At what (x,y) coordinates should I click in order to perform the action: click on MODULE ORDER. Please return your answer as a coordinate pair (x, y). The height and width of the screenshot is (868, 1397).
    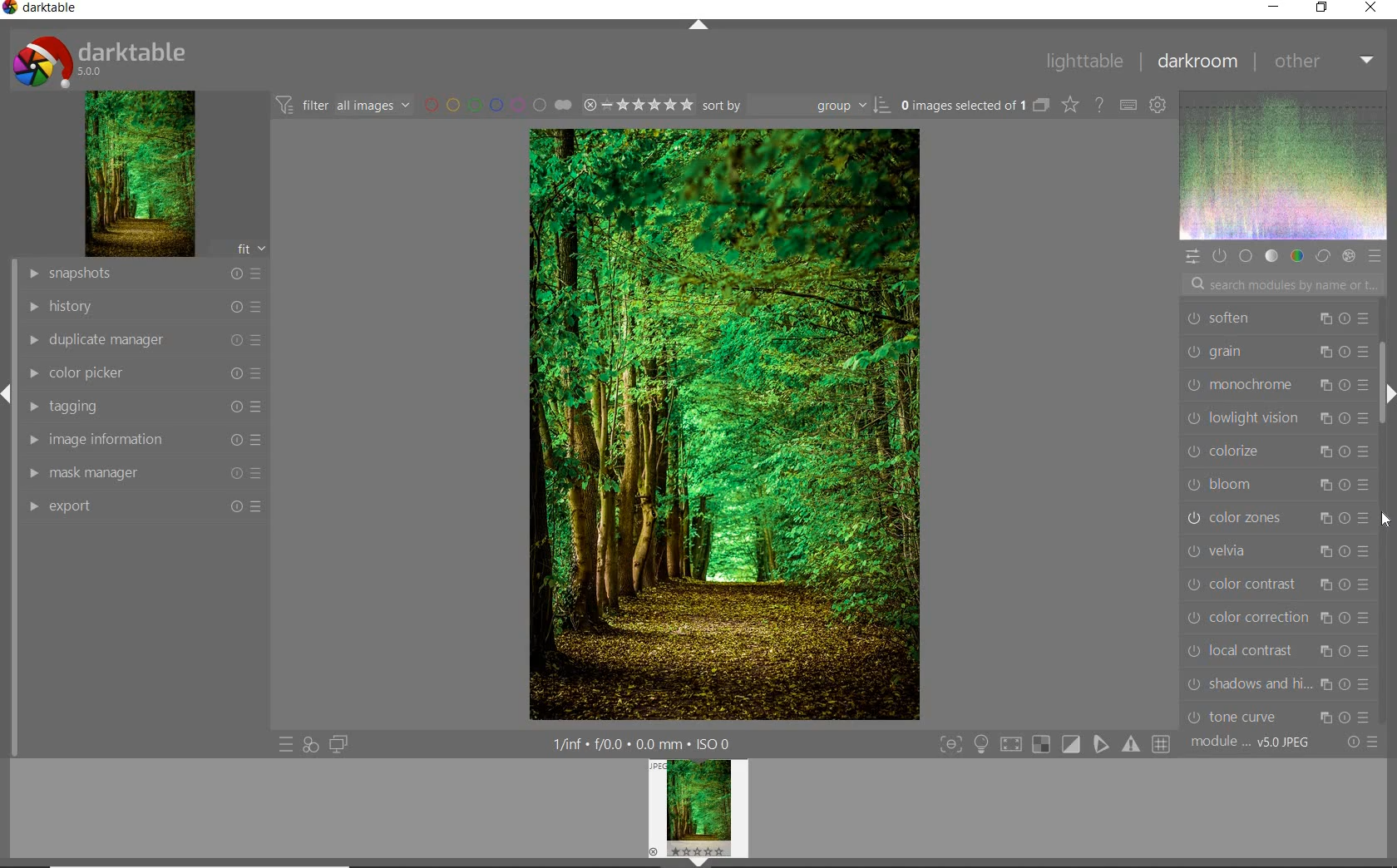
    Looking at the image, I should click on (1252, 742).